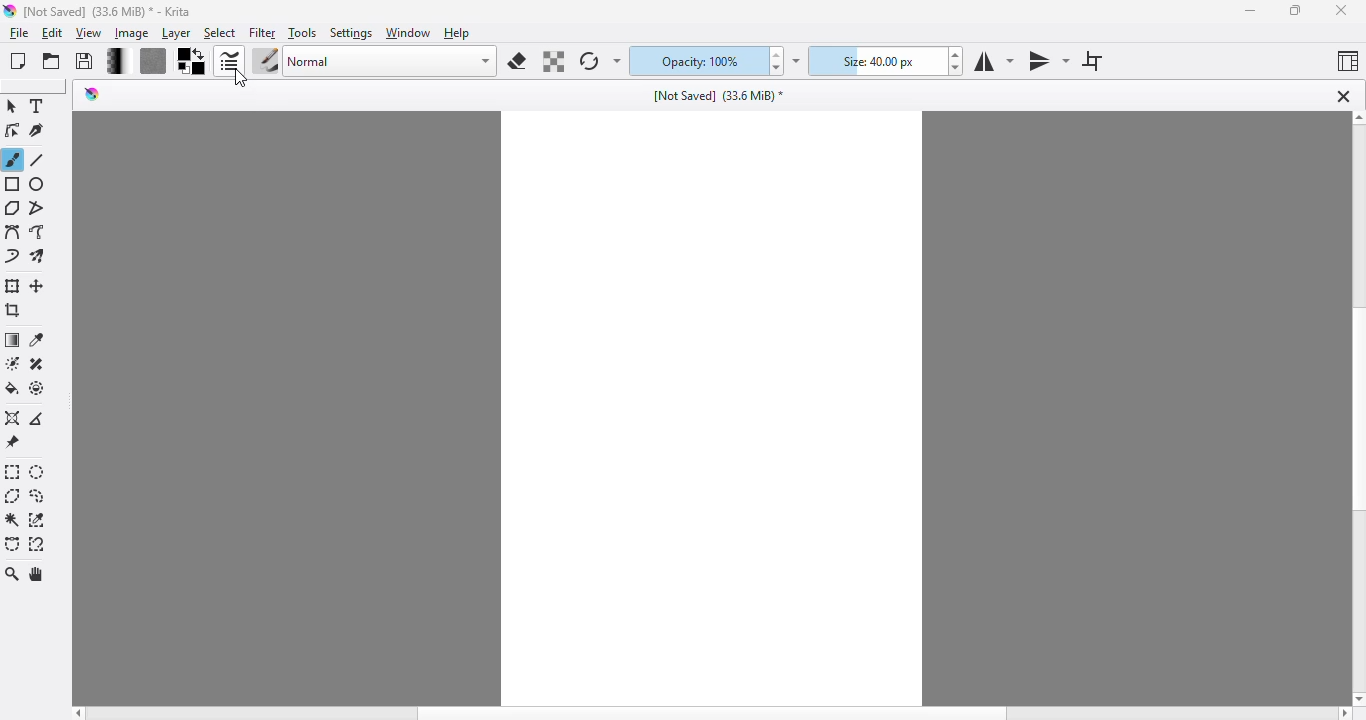  I want to click on colorize mask tool, so click(11, 363).